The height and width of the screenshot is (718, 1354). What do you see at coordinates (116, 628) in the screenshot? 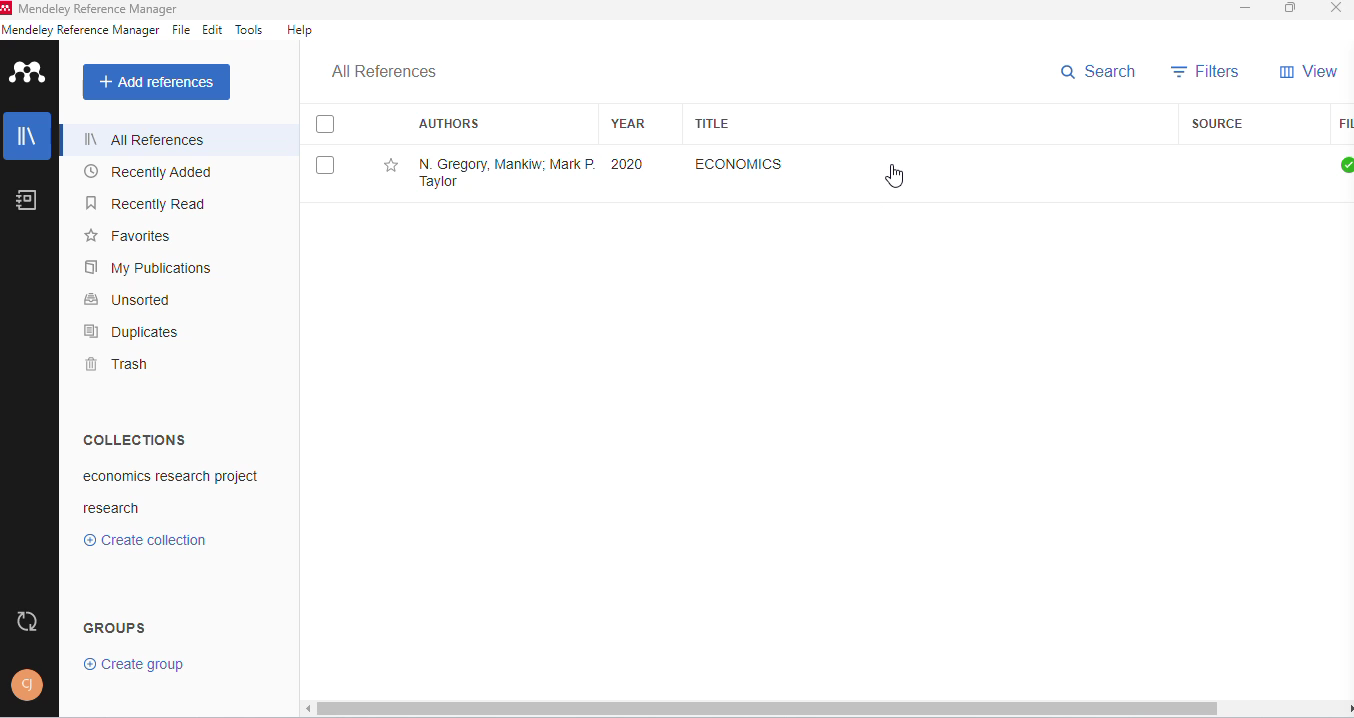
I see `groups` at bounding box center [116, 628].